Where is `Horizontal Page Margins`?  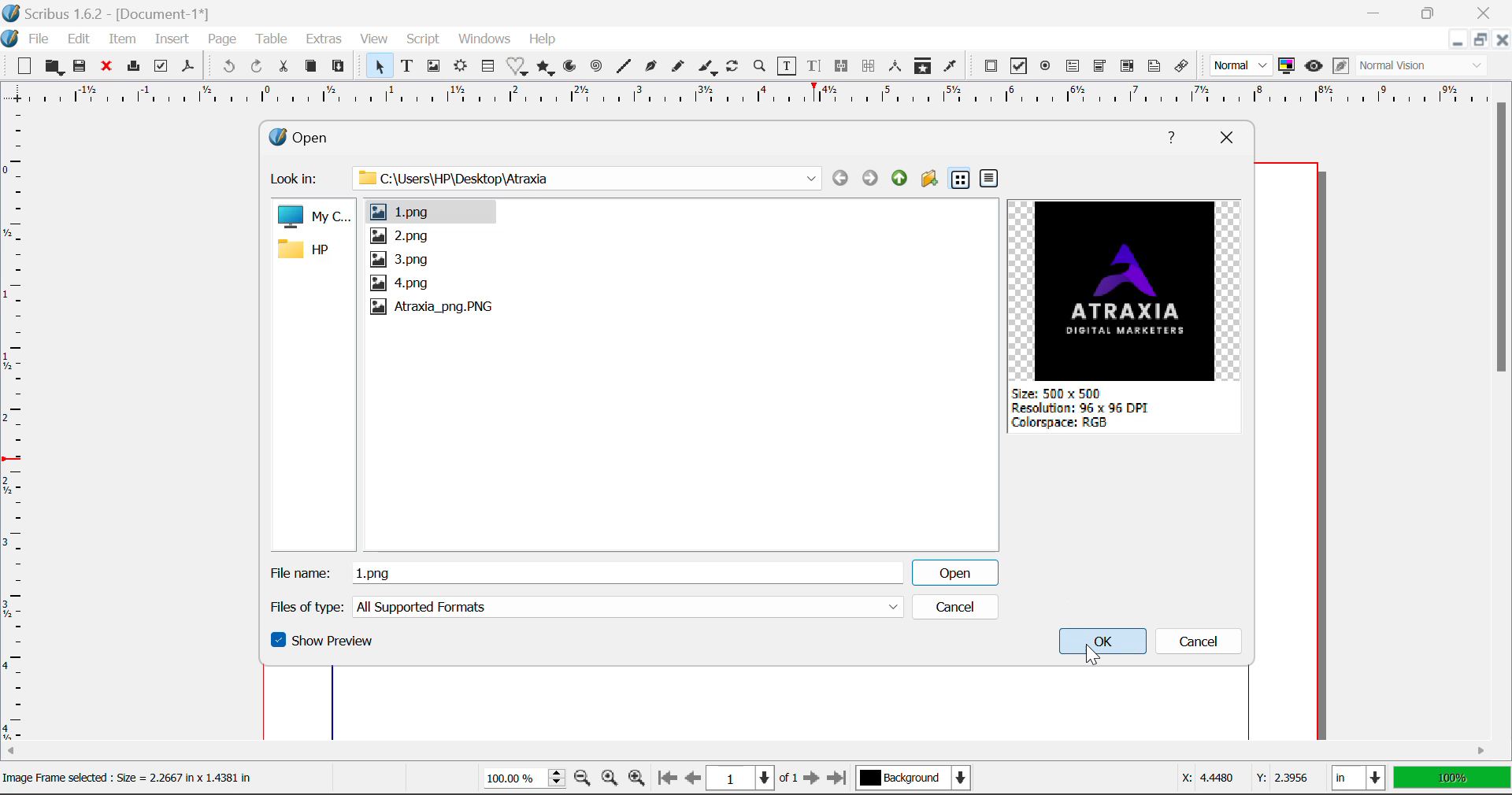 Horizontal Page Margins is located at coordinates (14, 427).